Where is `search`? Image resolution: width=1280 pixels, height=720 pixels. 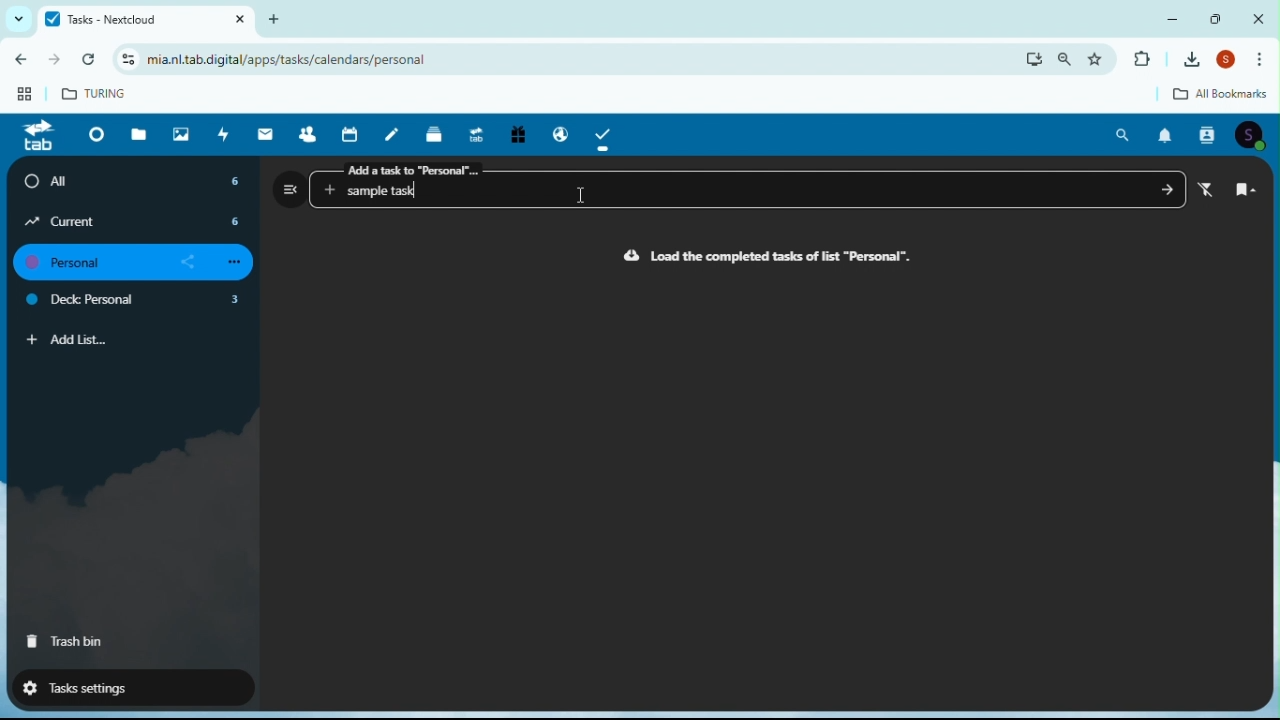
search is located at coordinates (1066, 59).